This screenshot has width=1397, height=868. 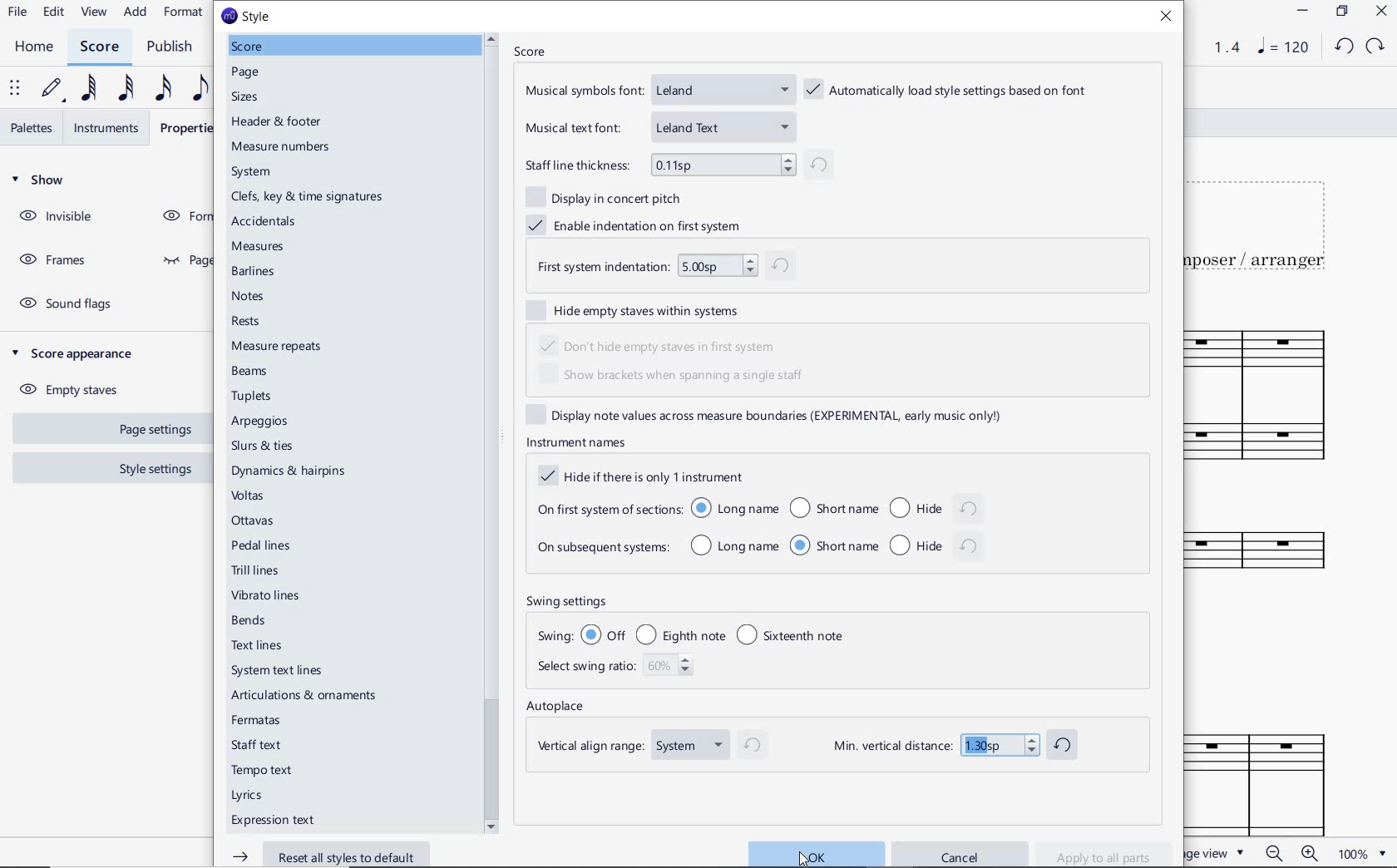 What do you see at coordinates (264, 598) in the screenshot?
I see `vibrato lines` at bounding box center [264, 598].